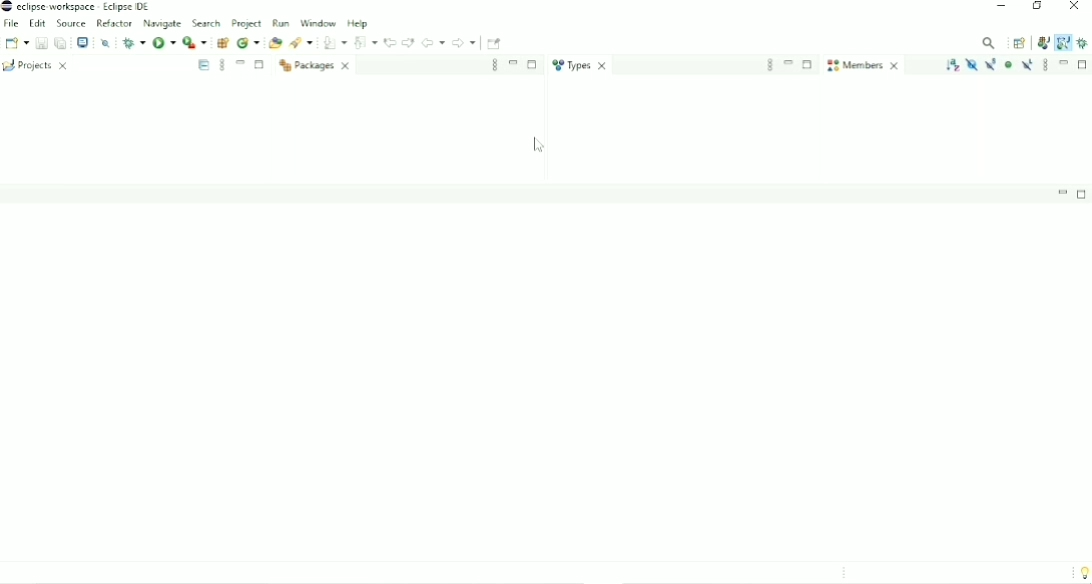 The height and width of the screenshot is (584, 1092). What do you see at coordinates (770, 64) in the screenshot?
I see `View Menu` at bounding box center [770, 64].